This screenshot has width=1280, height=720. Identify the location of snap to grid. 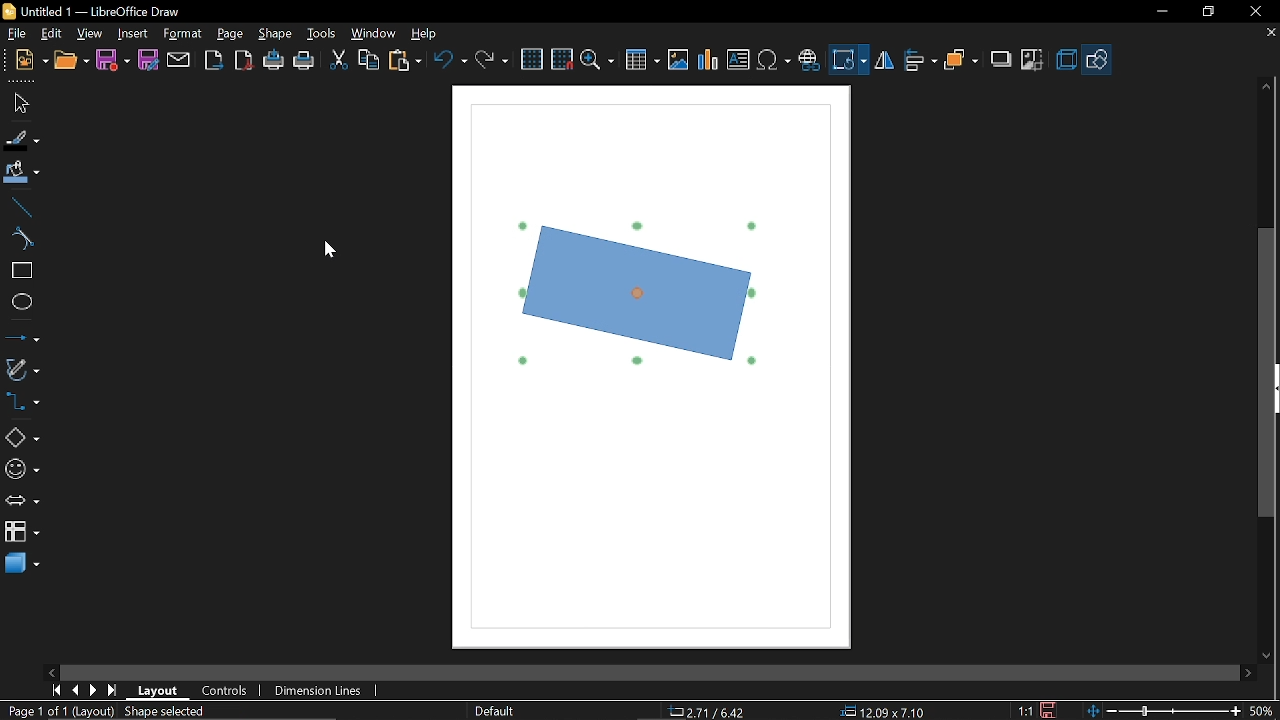
(562, 59).